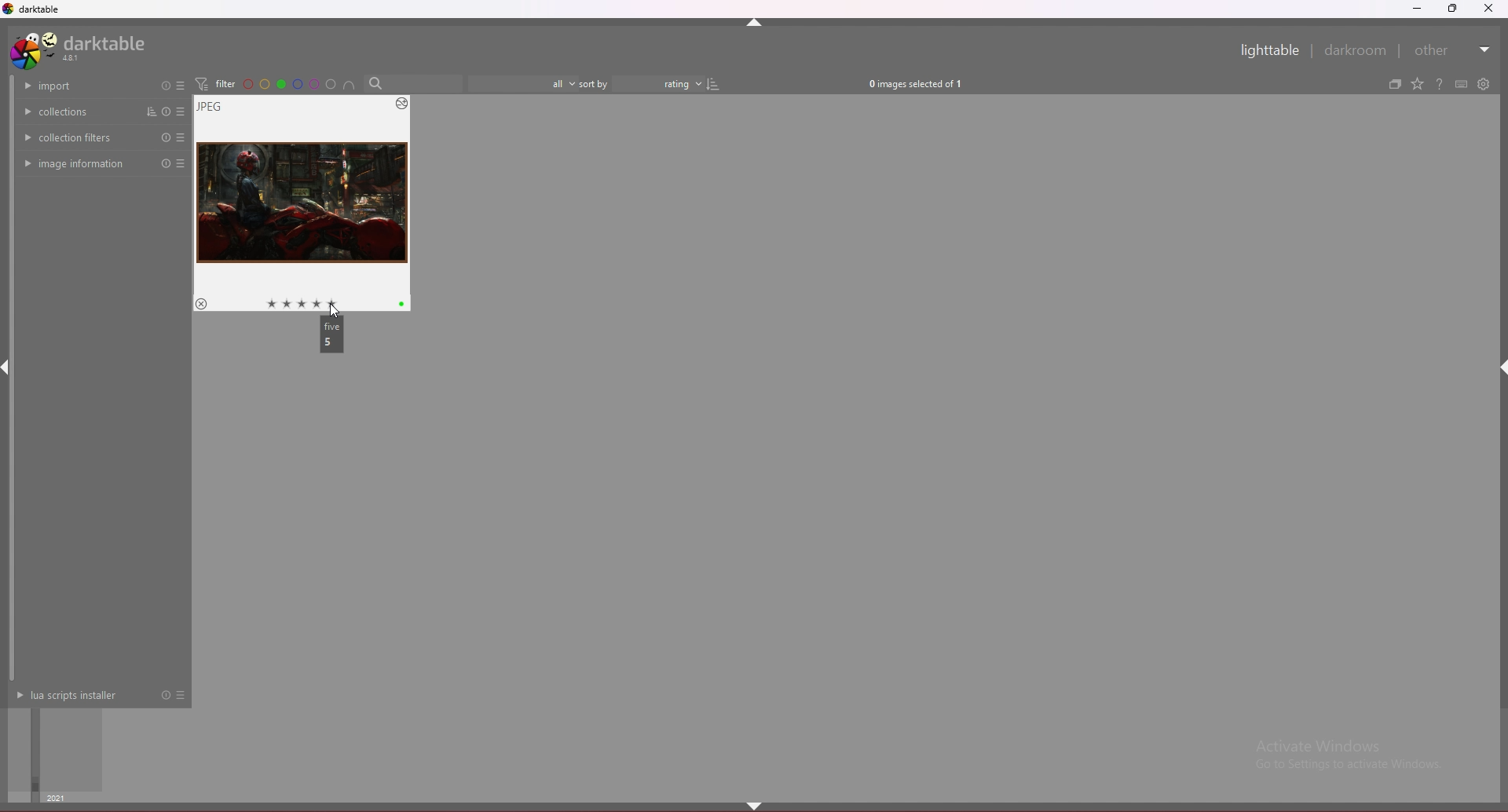  Describe the element at coordinates (53, 750) in the screenshot. I see `time selector` at that location.